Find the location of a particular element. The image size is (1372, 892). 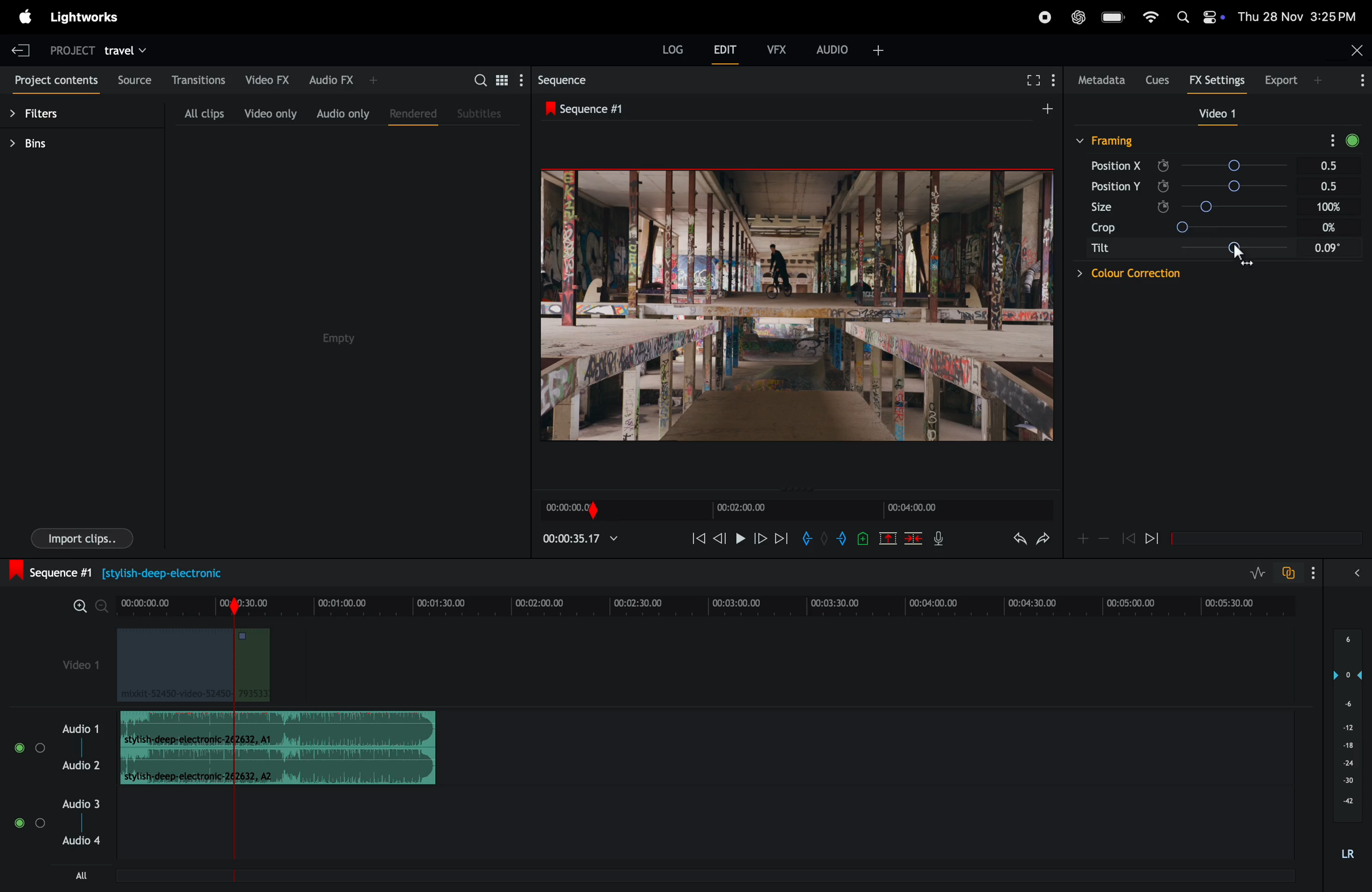

close is located at coordinates (1355, 50).